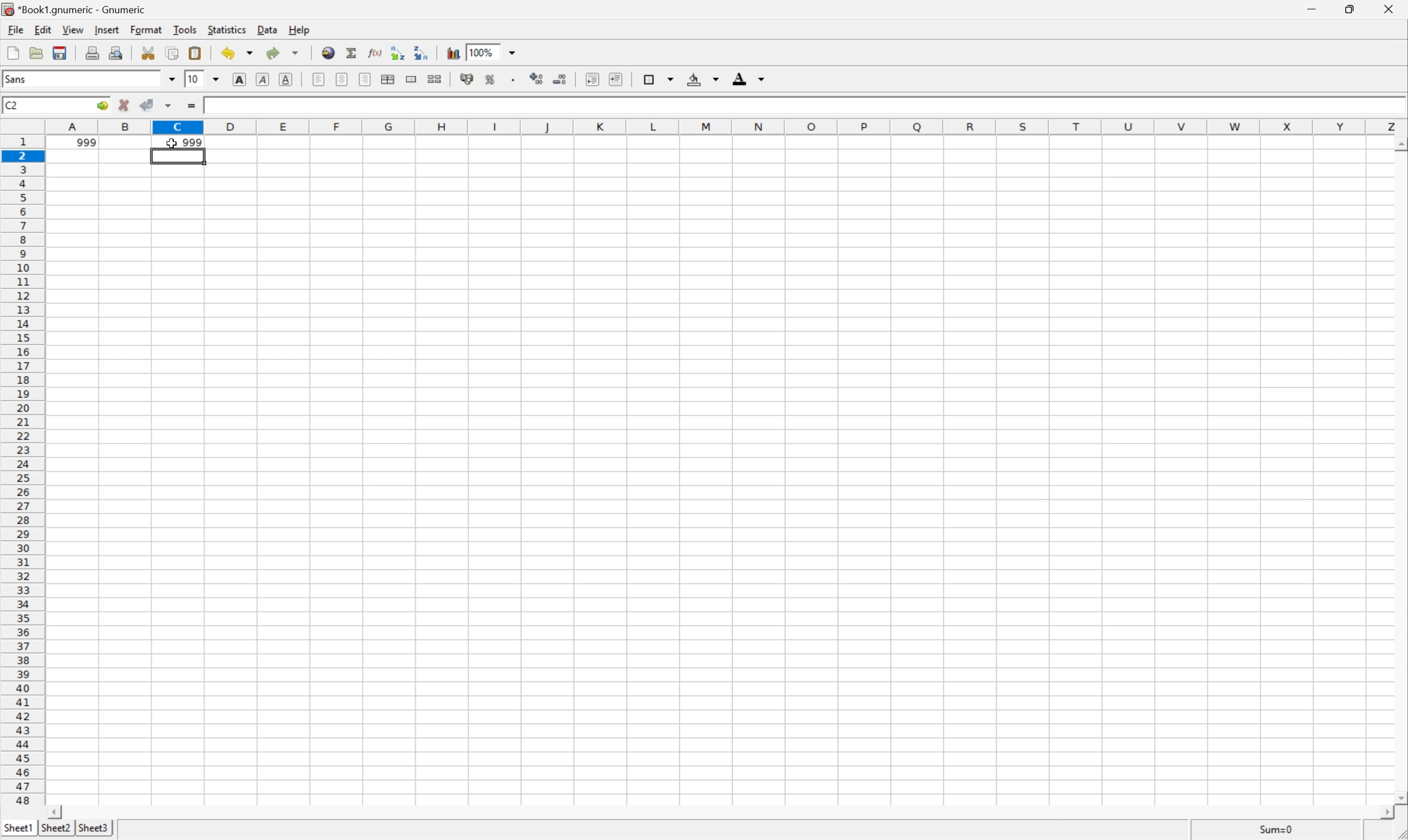  I want to click on Formula bar, so click(832, 107).